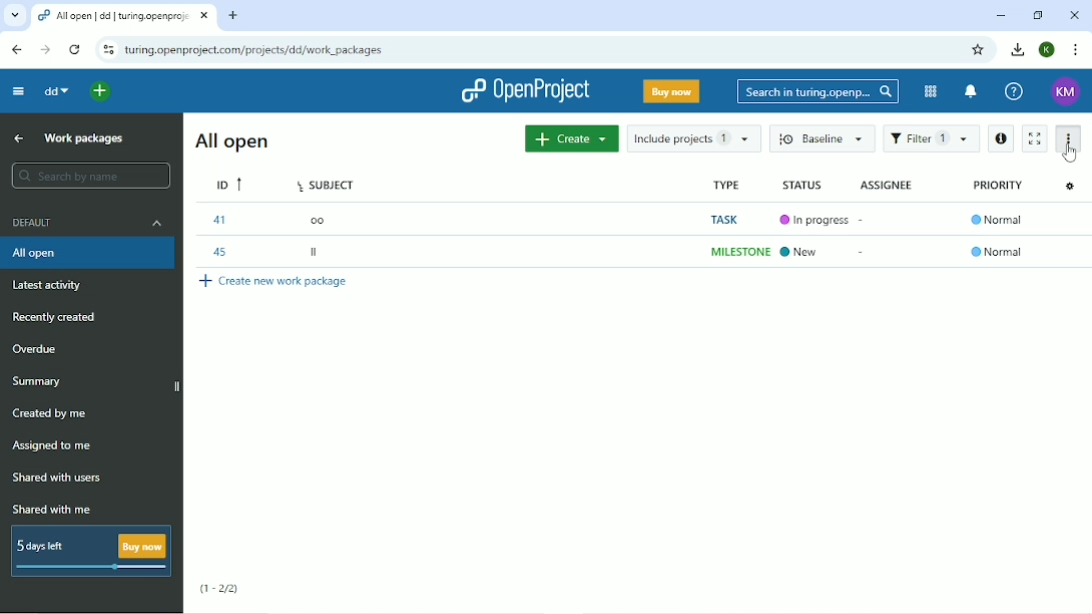  I want to click on Type, so click(737, 219).